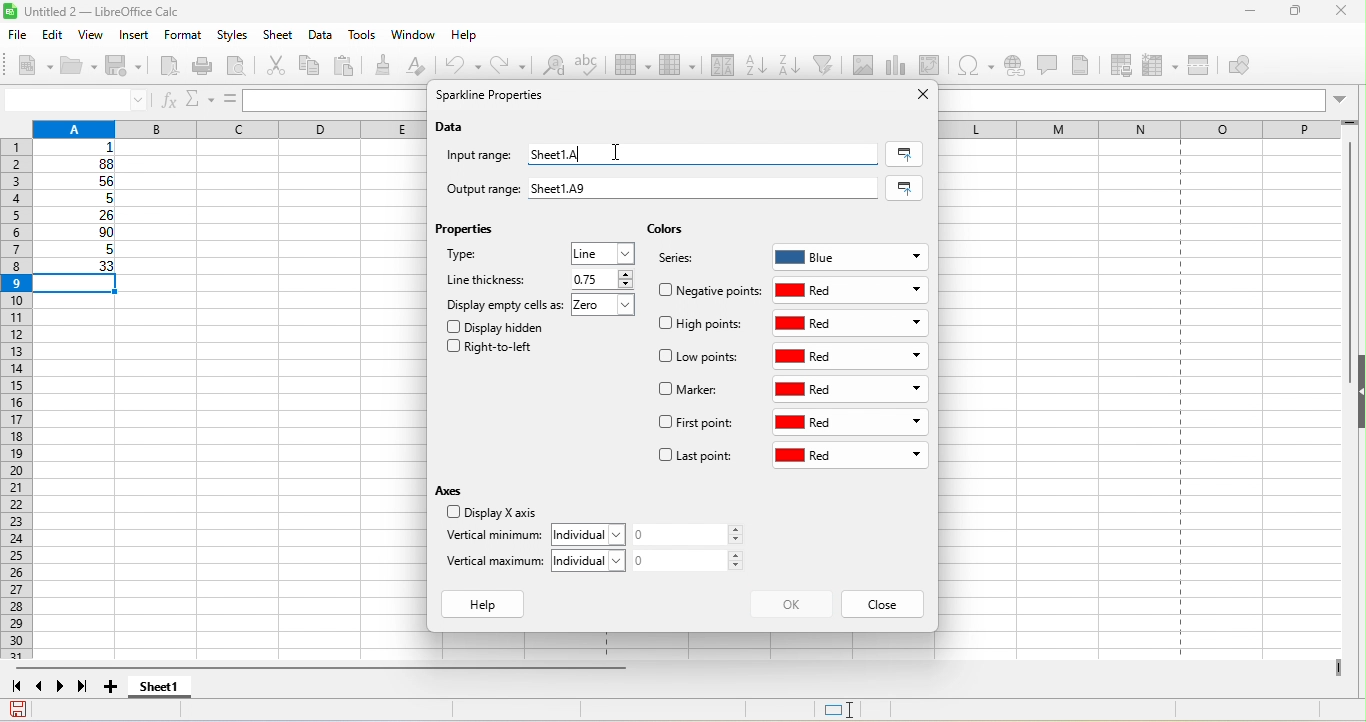  I want to click on view, so click(96, 35).